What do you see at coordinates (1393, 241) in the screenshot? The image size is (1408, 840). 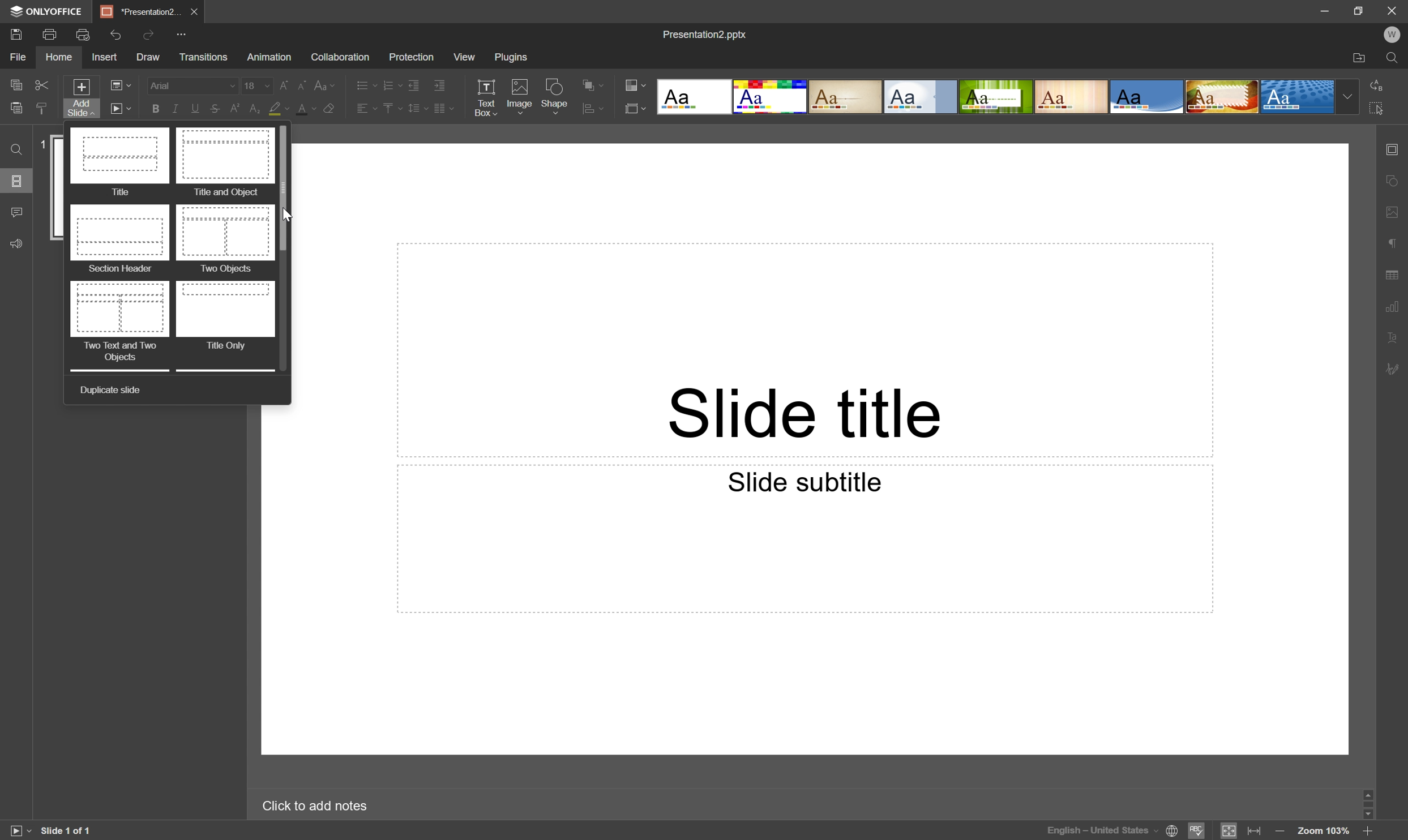 I see `Paragraph settings` at bounding box center [1393, 241].